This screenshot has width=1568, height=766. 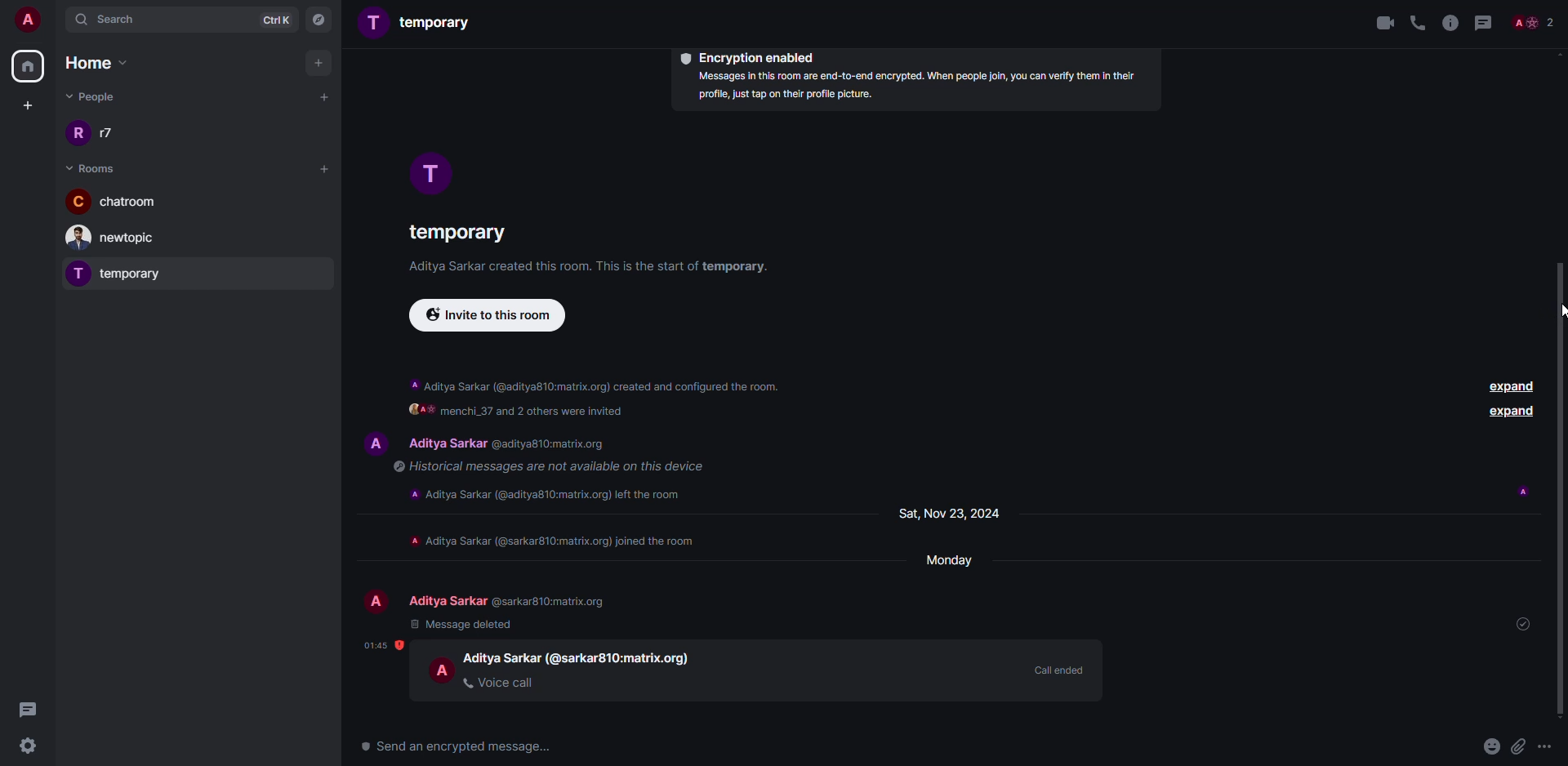 What do you see at coordinates (1491, 744) in the screenshot?
I see `emoji` at bounding box center [1491, 744].